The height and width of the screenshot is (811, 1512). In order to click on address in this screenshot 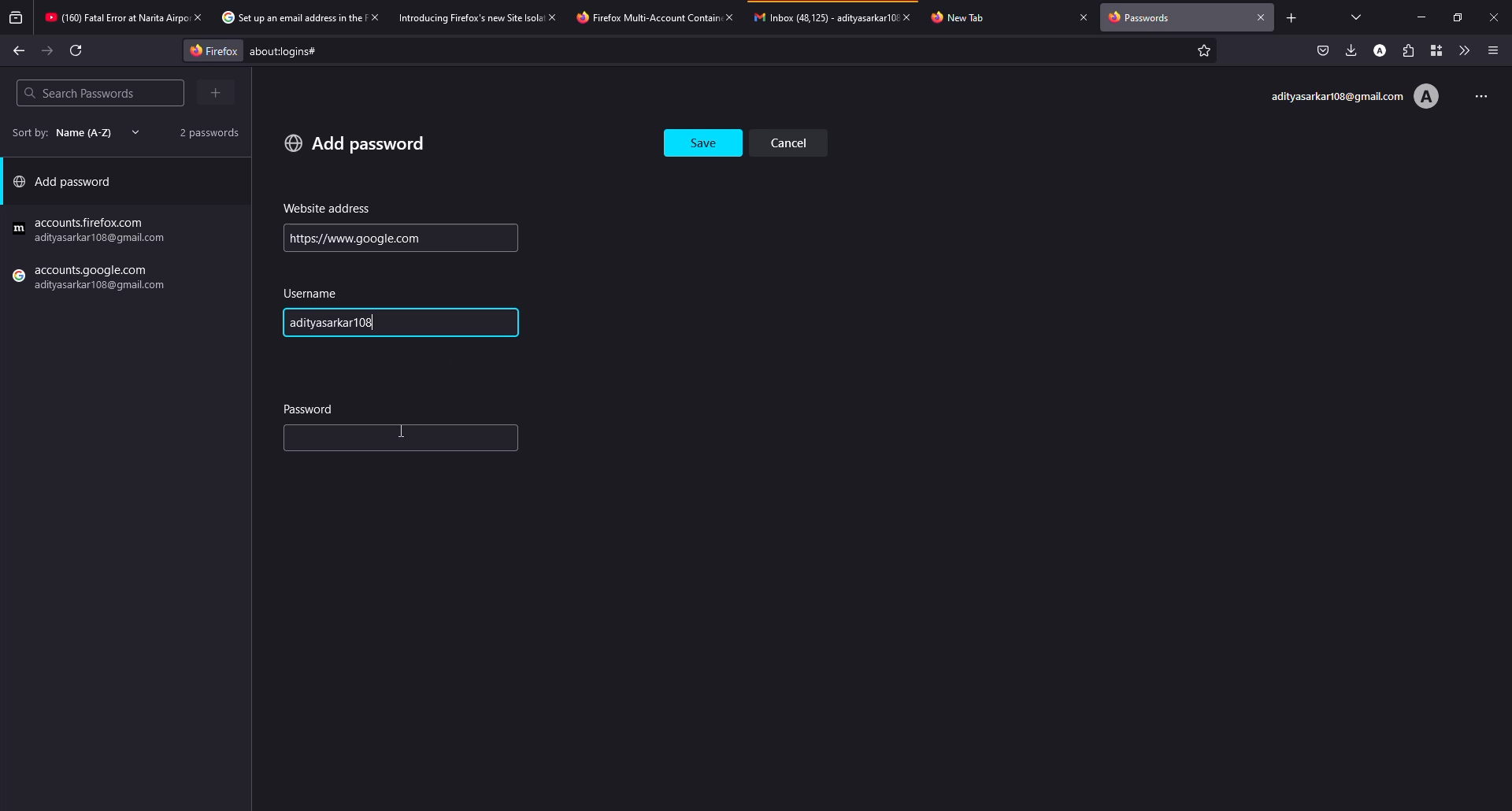, I will do `click(328, 209)`.